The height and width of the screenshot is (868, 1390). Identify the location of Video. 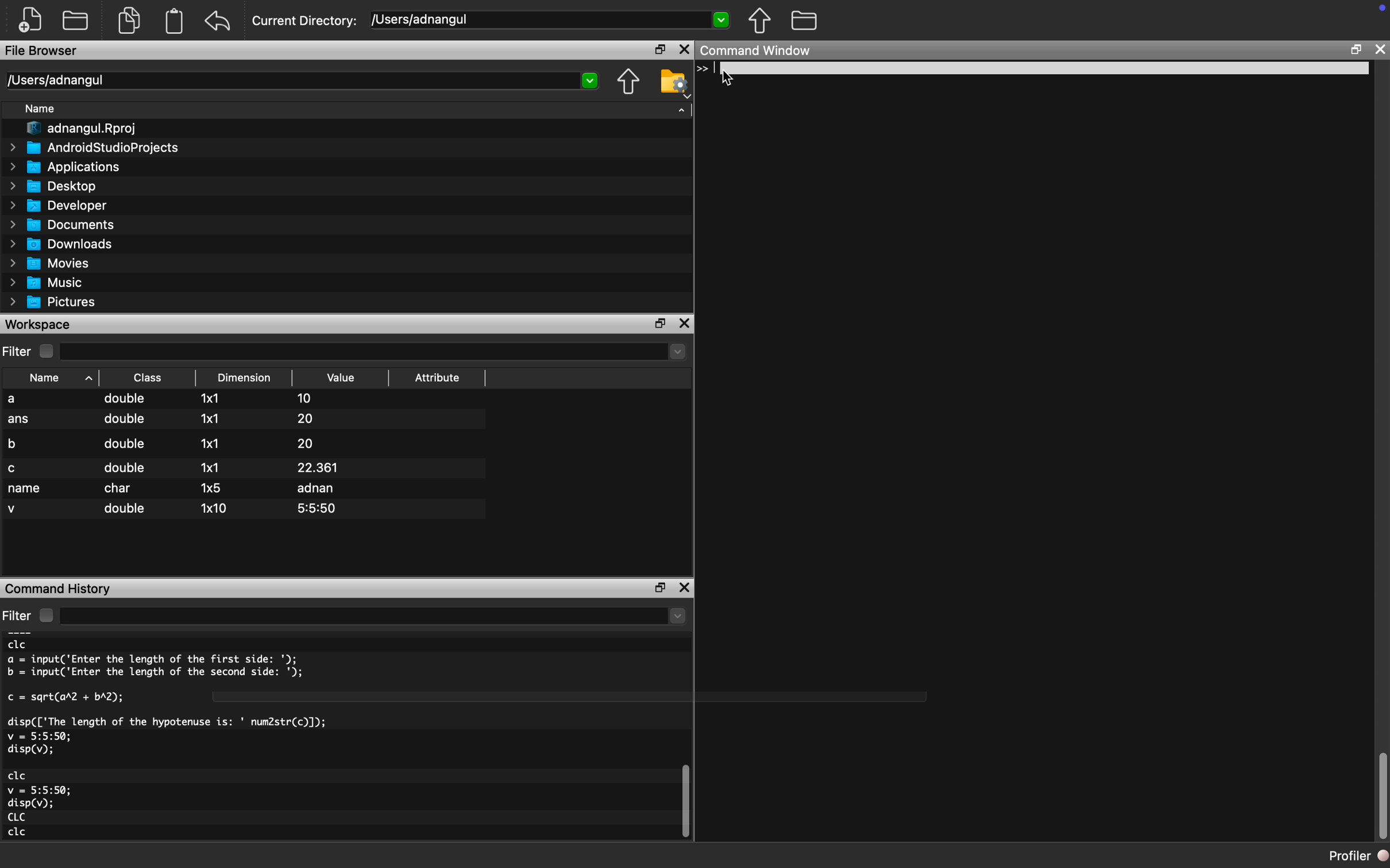
(349, 375).